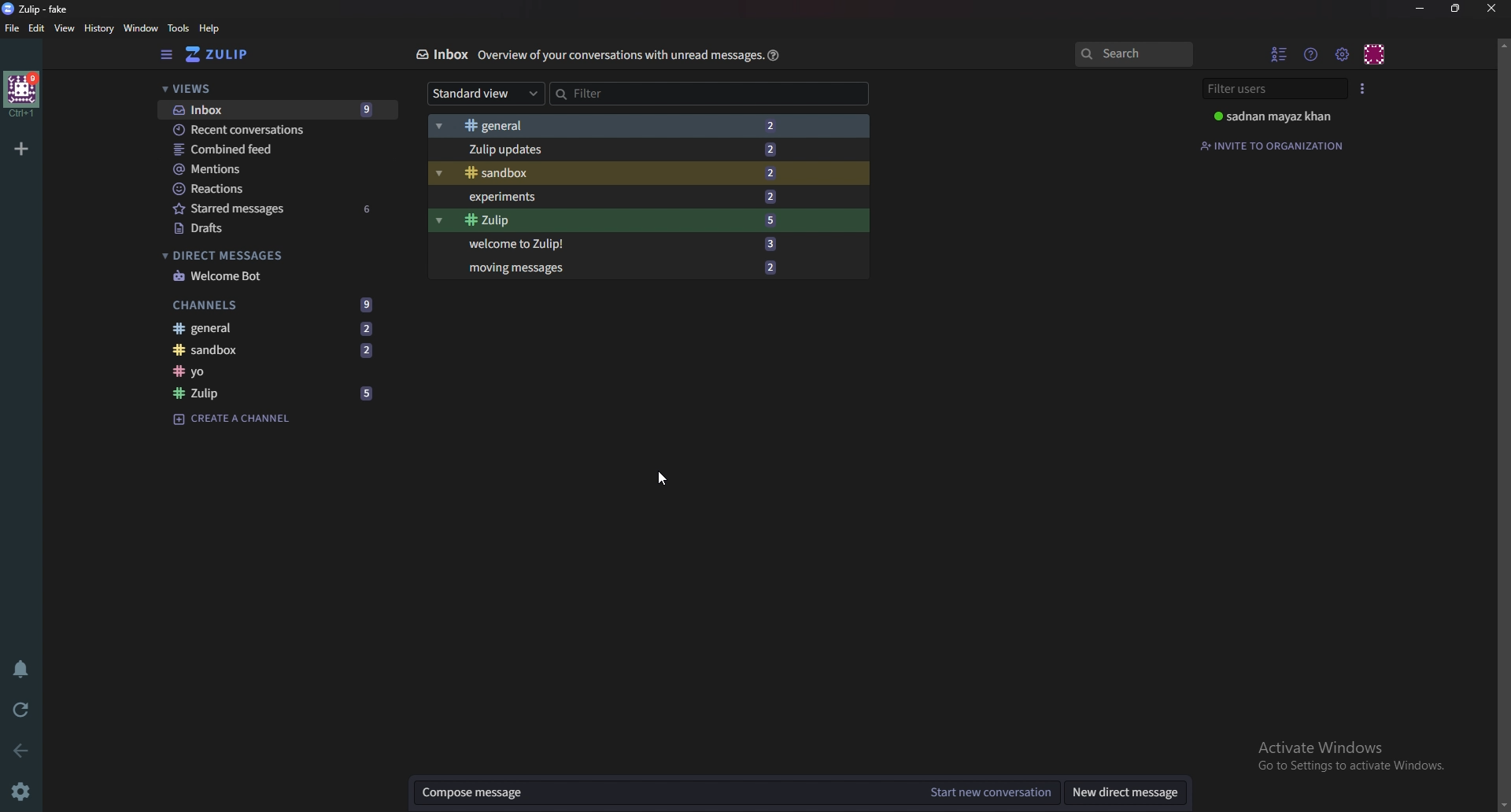 Image resolution: width=1511 pixels, height=812 pixels. I want to click on Filter users, so click(1273, 89).